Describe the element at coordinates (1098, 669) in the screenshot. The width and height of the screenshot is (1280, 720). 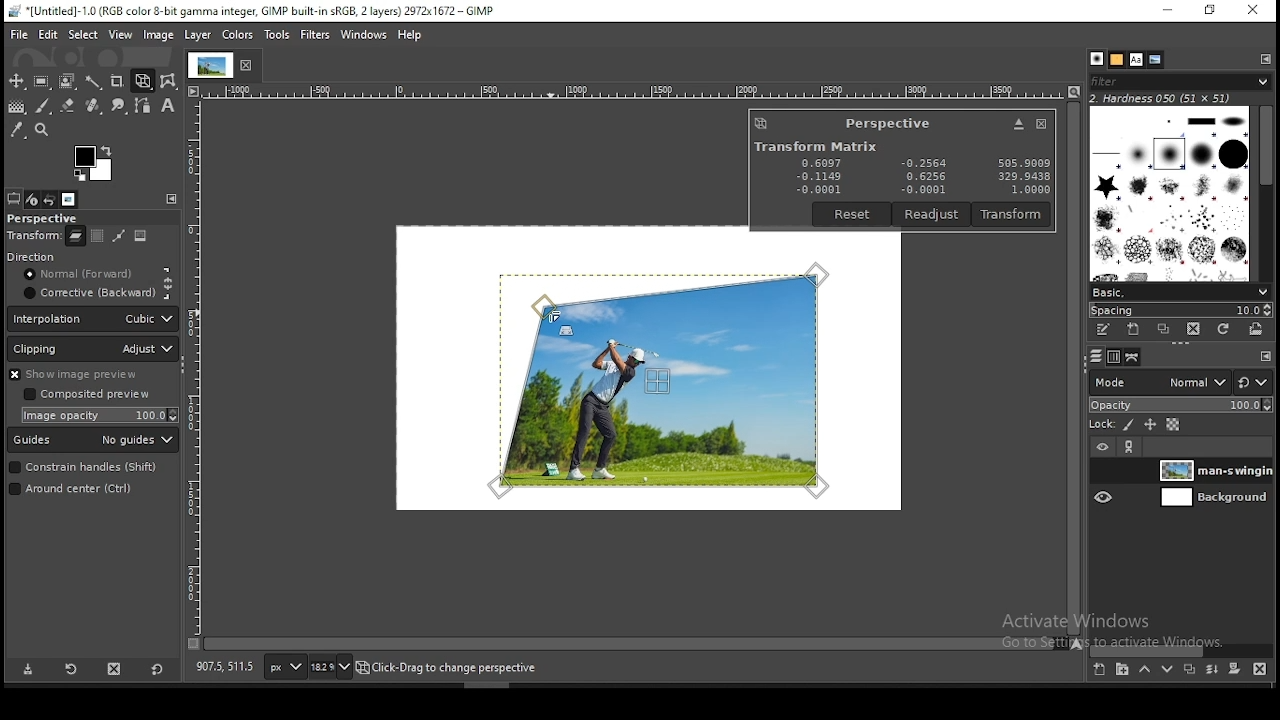
I see `new layer` at that location.